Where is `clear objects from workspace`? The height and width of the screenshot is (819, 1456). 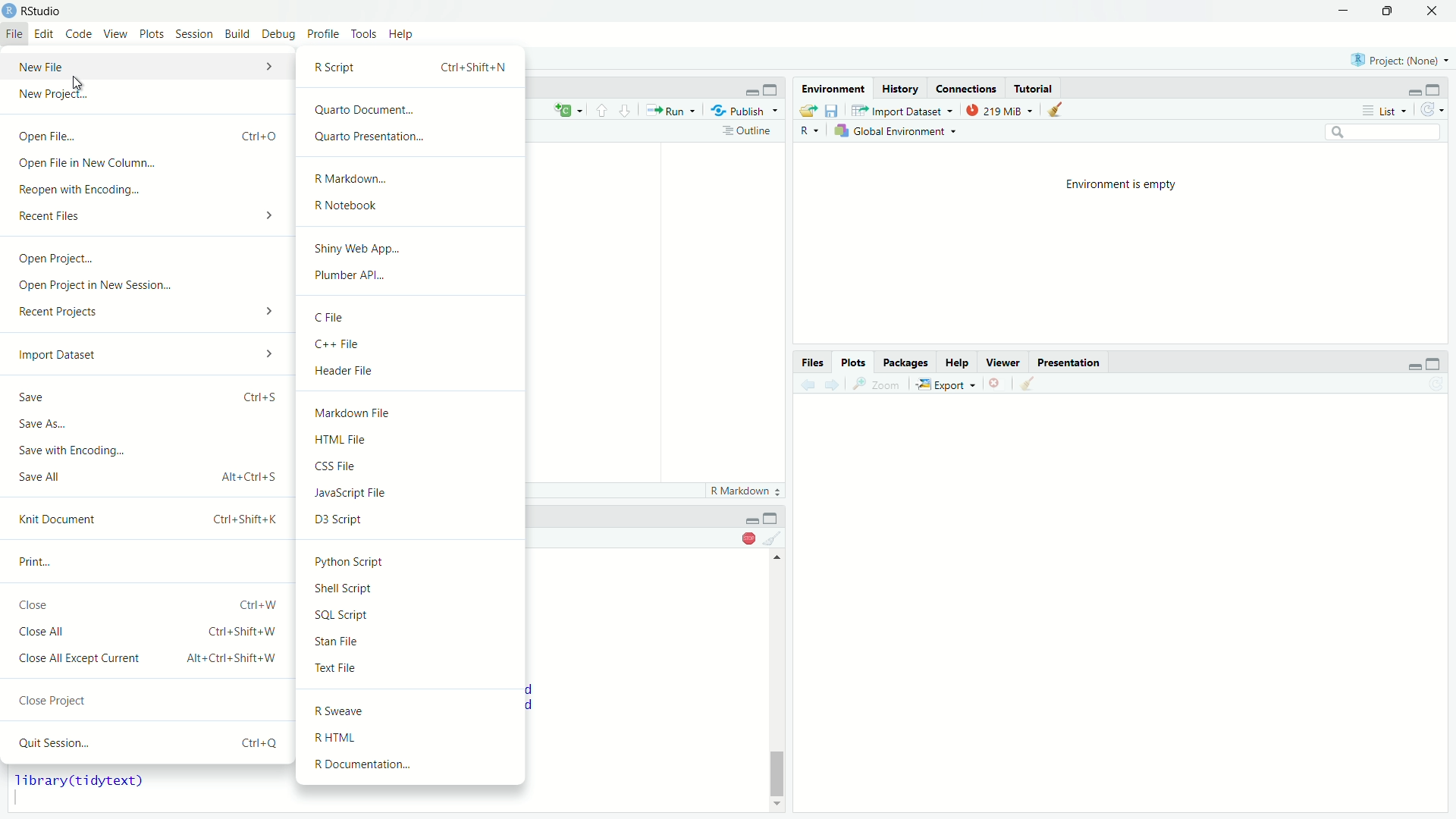 clear objects from workspace is located at coordinates (1057, 111).